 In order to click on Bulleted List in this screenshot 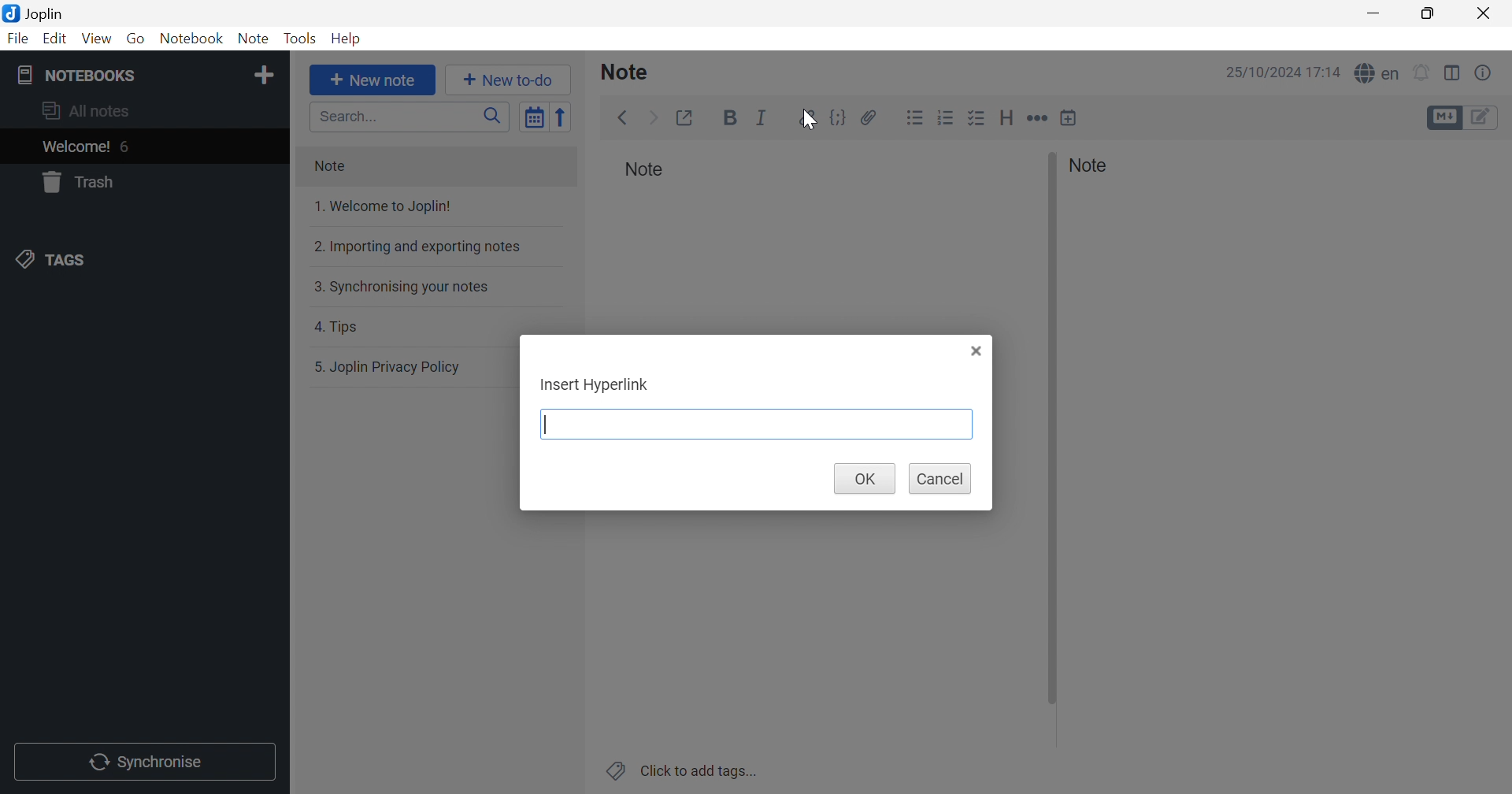, I will do `click(915, 117)`.